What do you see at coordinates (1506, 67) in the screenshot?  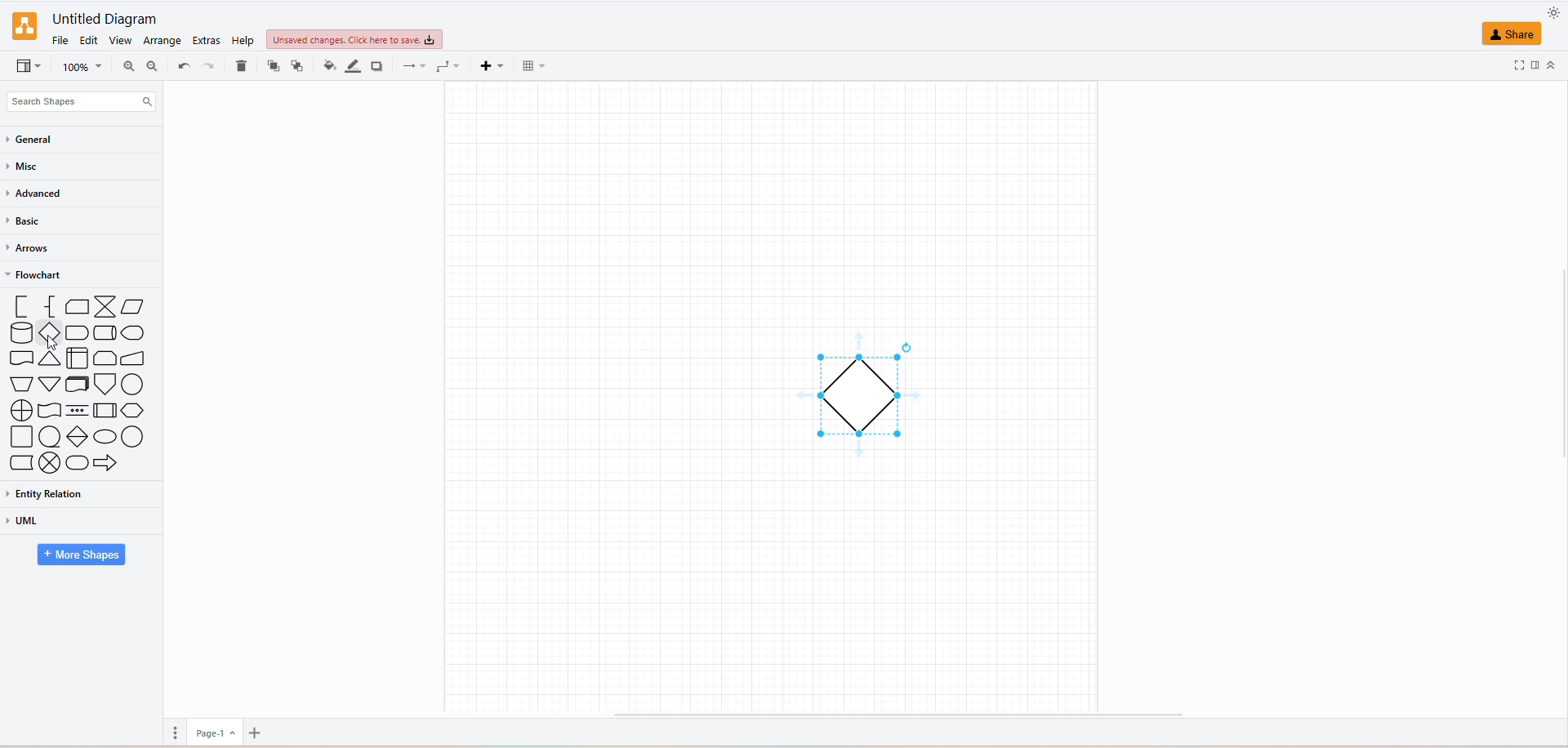 I see `FULLSCREEN` at bounding box center [1506, 67].